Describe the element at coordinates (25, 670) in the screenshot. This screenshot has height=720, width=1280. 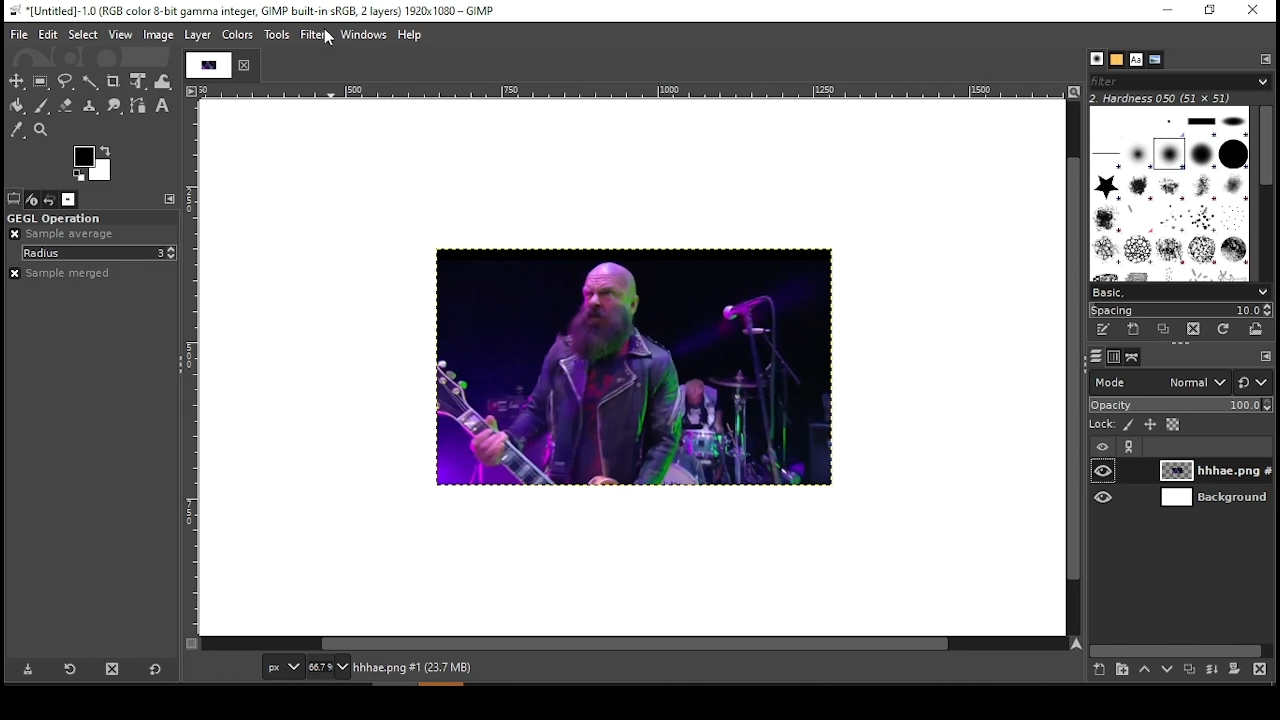
I see `save tool preset` at that location.